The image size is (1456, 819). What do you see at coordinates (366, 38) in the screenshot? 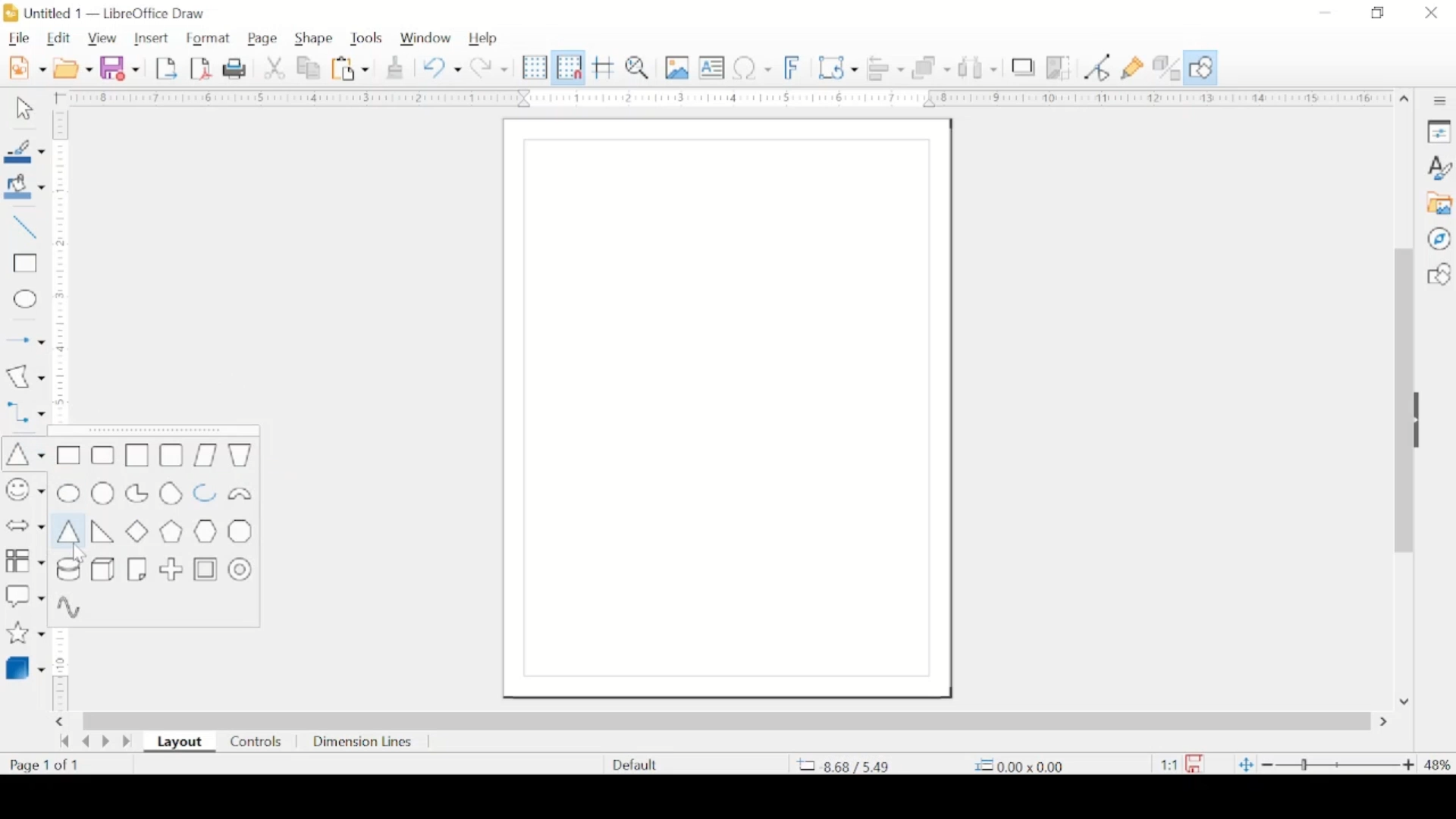
I see `tools` at bounding box center [366, 38].